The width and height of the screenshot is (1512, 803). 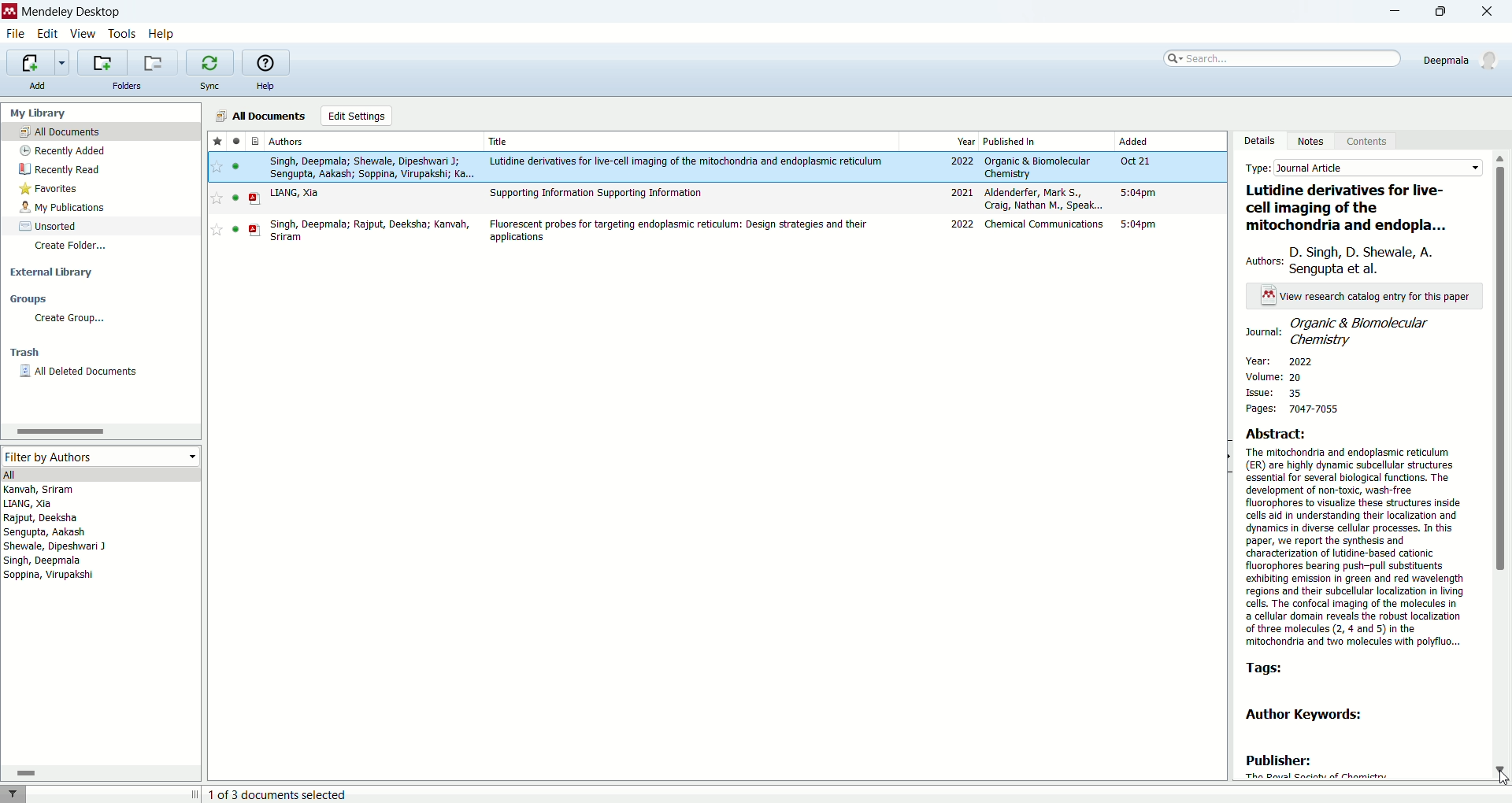 What do you see at coordinates (35, 85) in the screenshot?
I see `add` at bounding box center [35, 85].